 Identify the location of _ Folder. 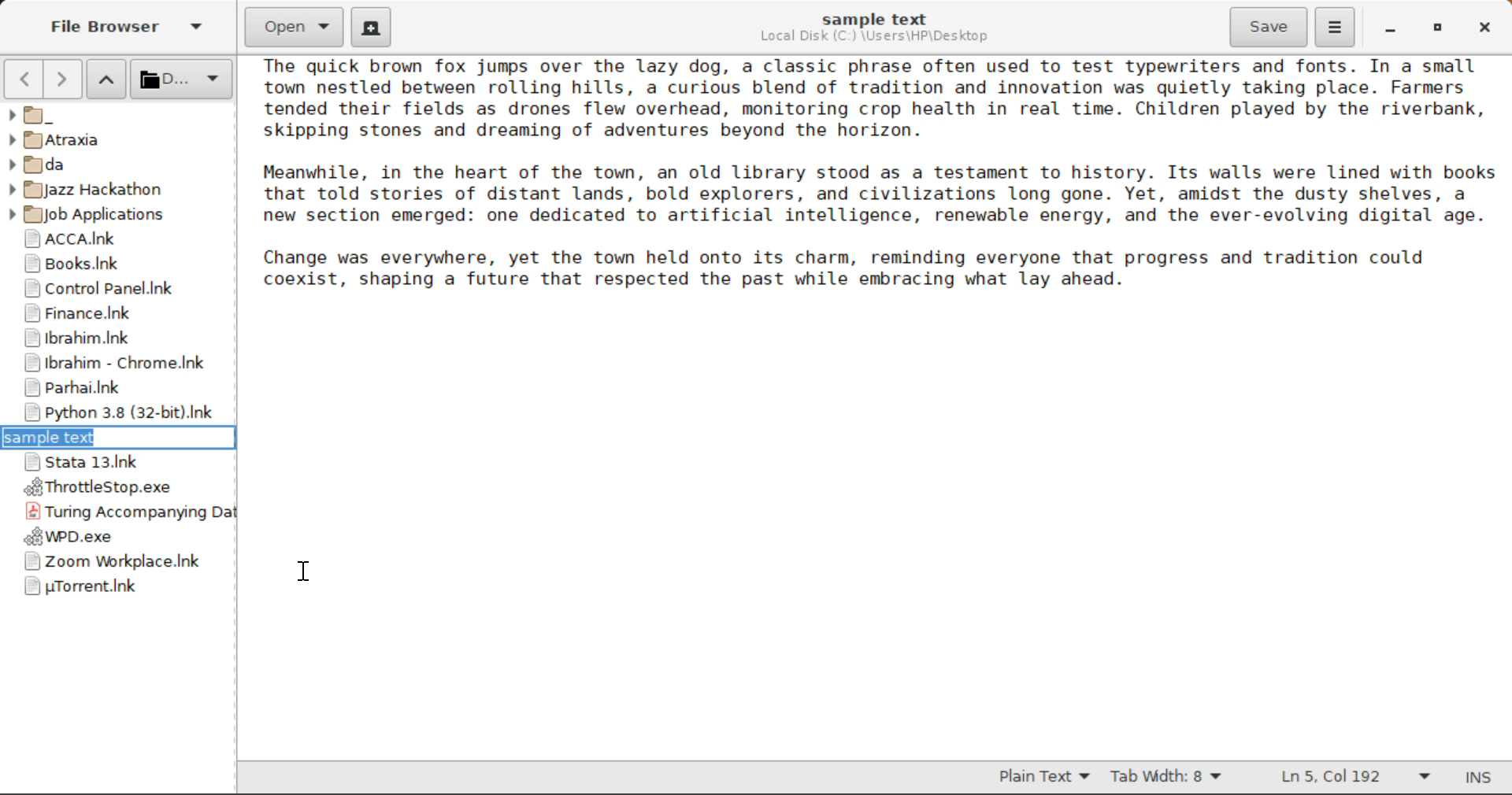
(115, 115).